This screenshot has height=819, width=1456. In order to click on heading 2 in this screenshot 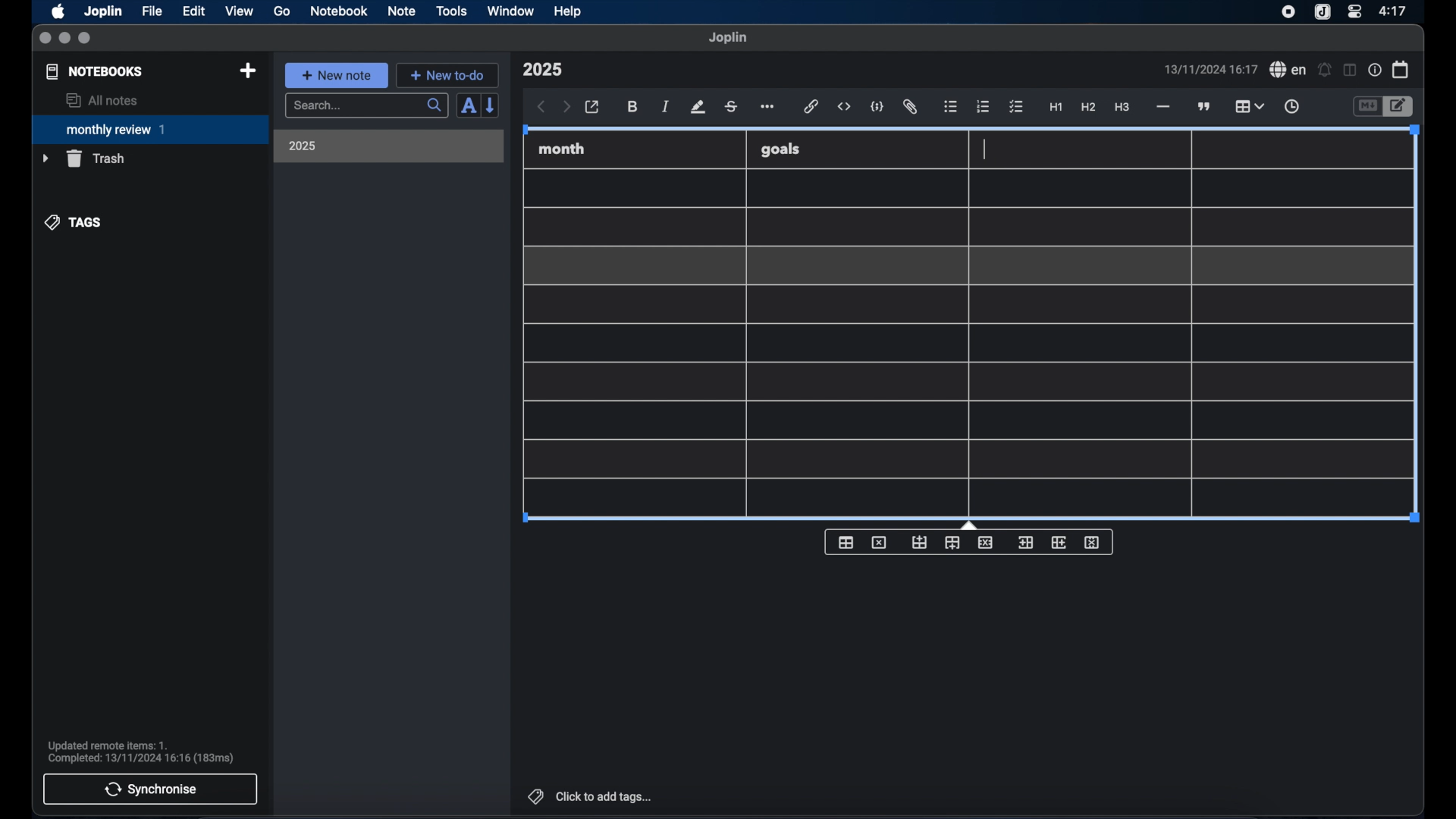, I will do `click(1089, 108)`.